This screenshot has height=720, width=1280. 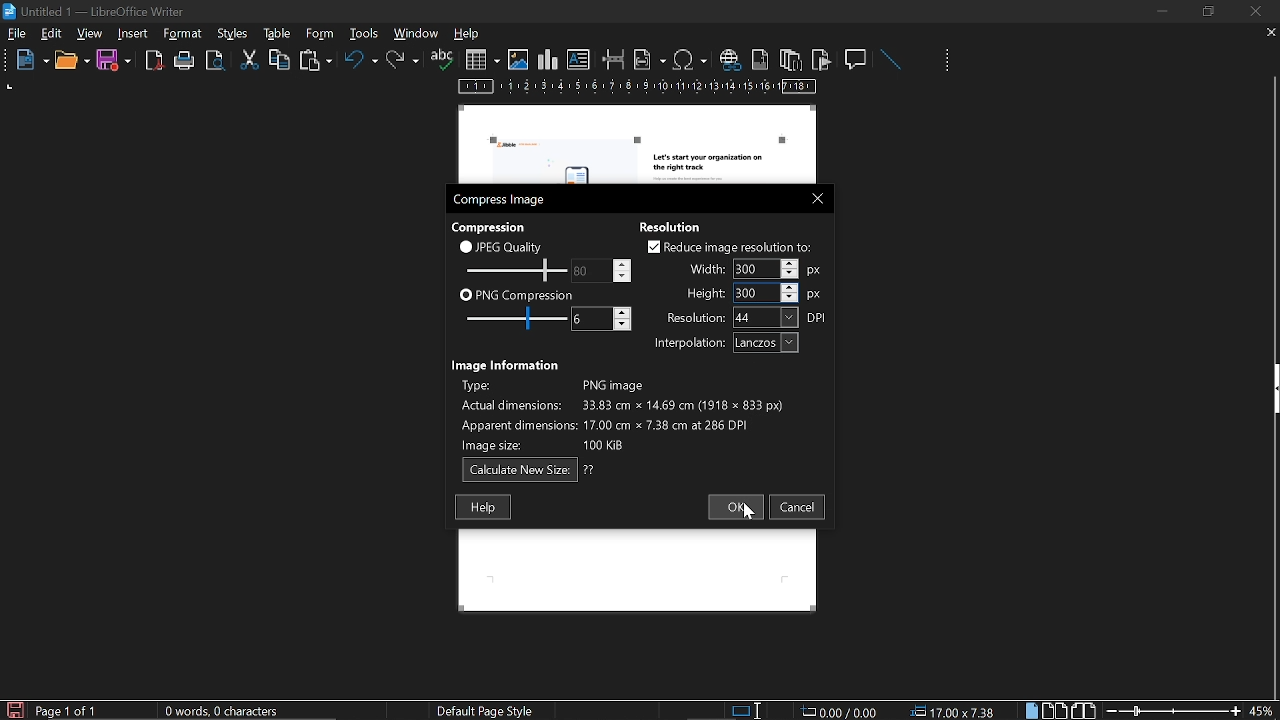 I want to click on insert hyperlink, so click(x=729, y=61).